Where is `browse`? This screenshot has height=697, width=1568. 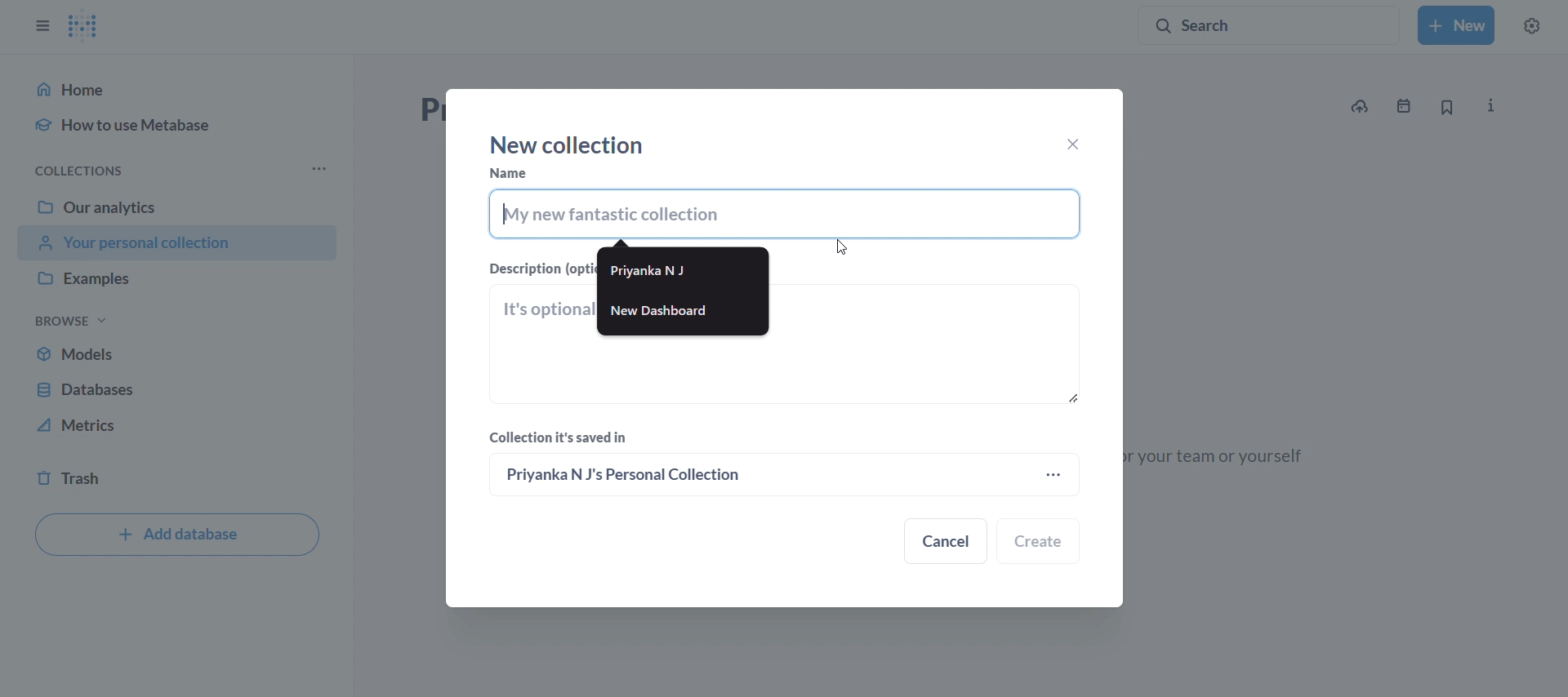 browse is located at coordinates (71, 318).